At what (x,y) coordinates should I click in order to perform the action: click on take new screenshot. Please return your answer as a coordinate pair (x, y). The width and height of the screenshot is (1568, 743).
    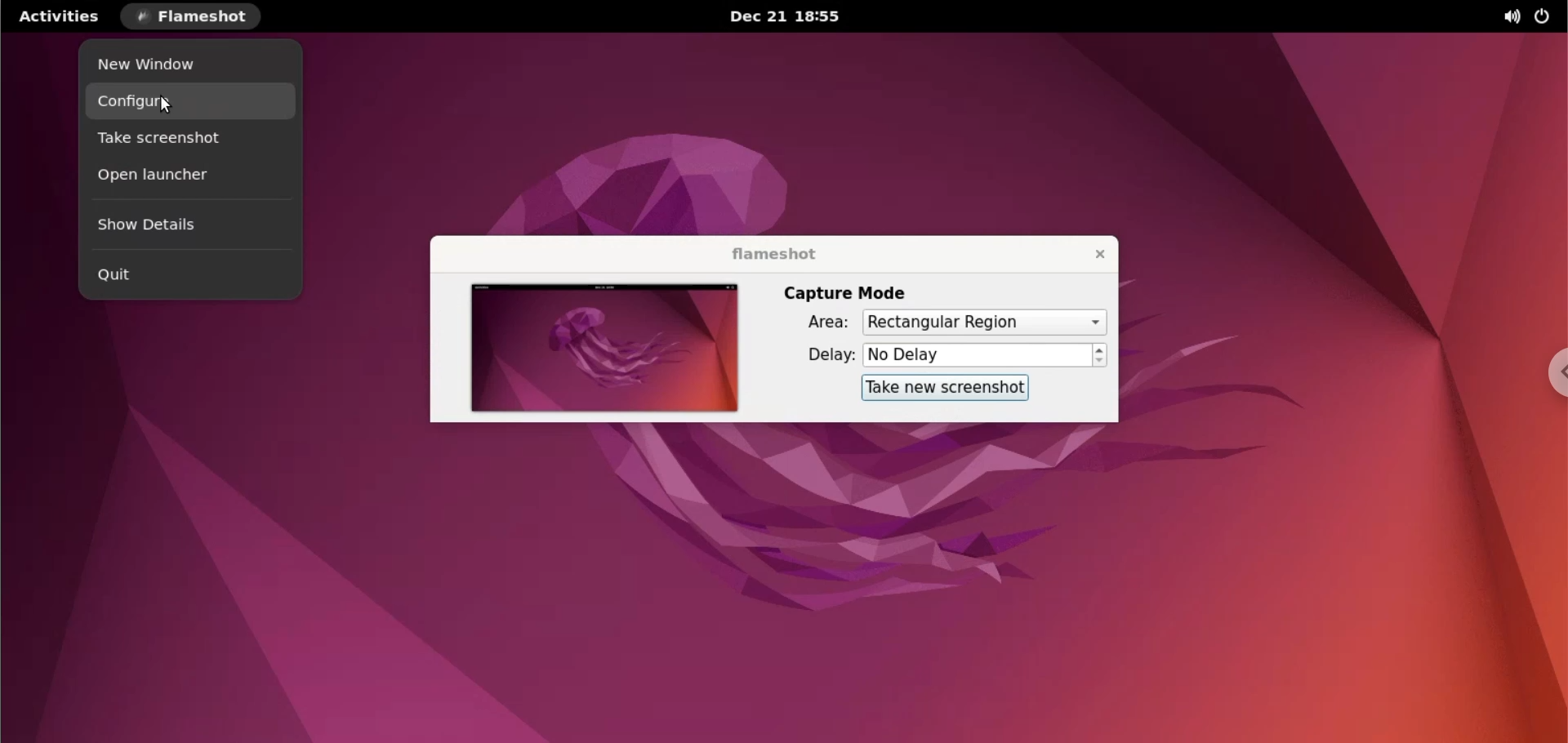
    Looking at the image, I should click on (938, 387).